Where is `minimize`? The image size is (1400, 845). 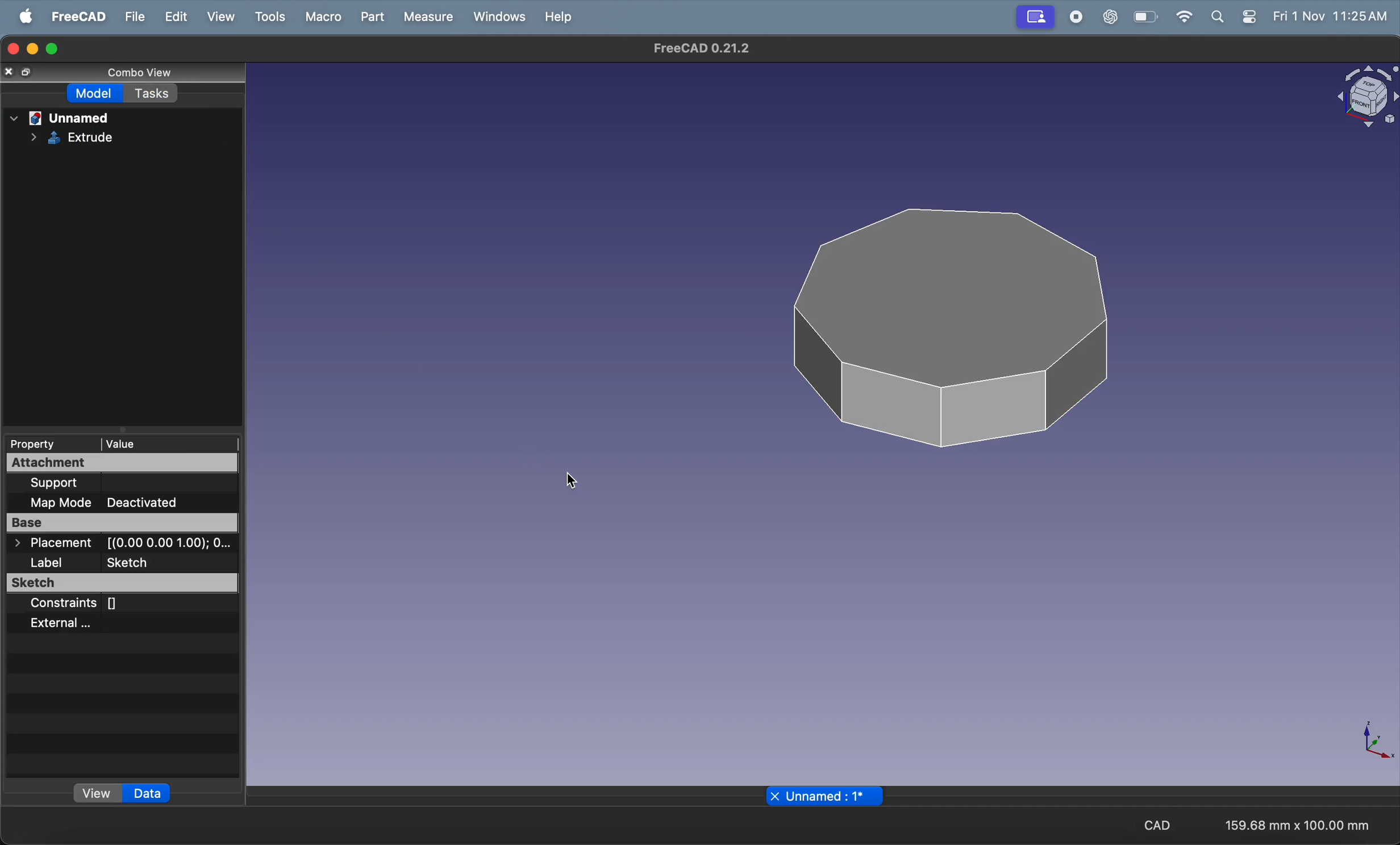
minimize is located at coordinates (33, 49).